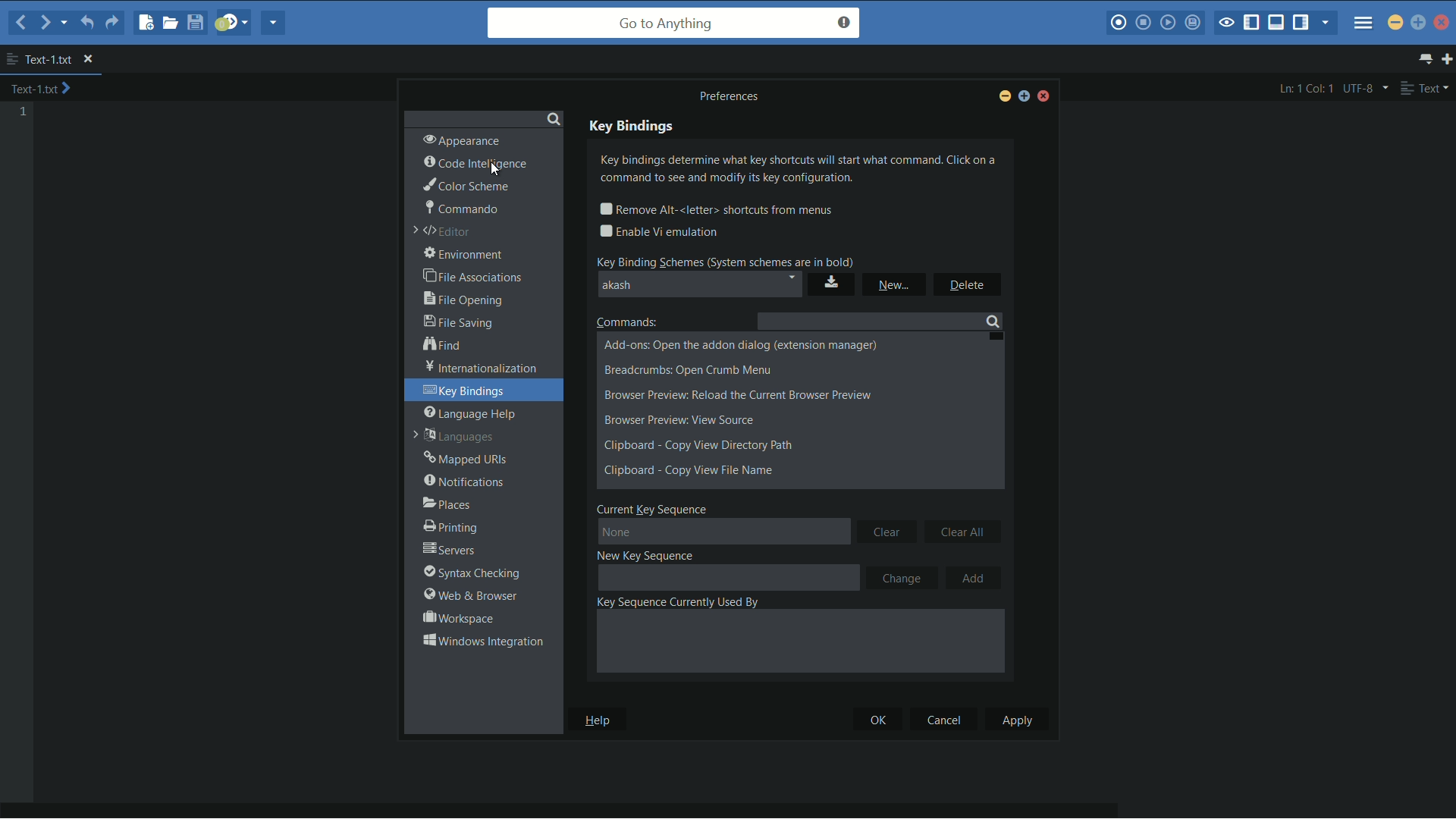  Describe the element at coordinates (735, 96) in the screenshot. I see `Preferences` at that location.